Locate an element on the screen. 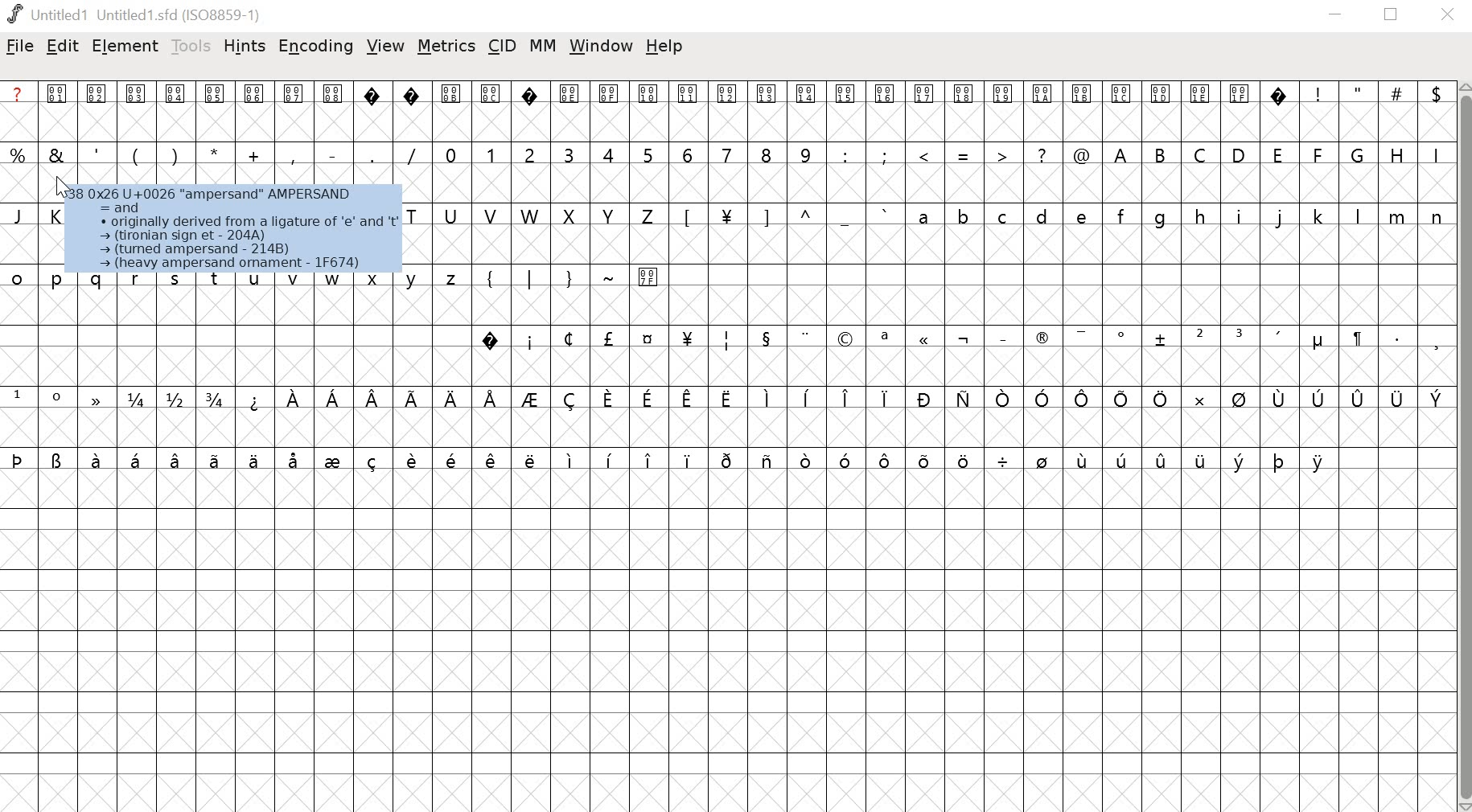  000B is located at coordinates (450, 111).